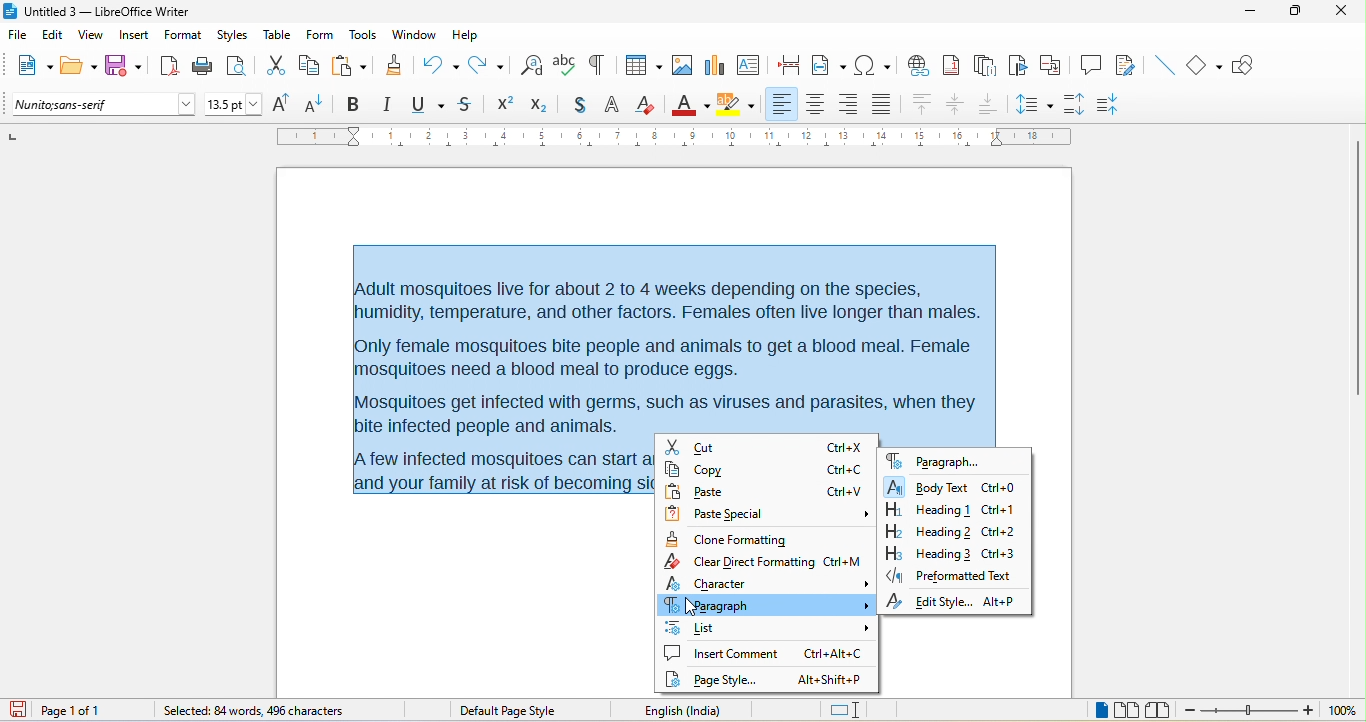 The height and width of the screenshot is (722, 1366). What do you see at coordinates (1001, 601) in the screenshot?
I see `shortcut key` at bounding box center [1001, 601].